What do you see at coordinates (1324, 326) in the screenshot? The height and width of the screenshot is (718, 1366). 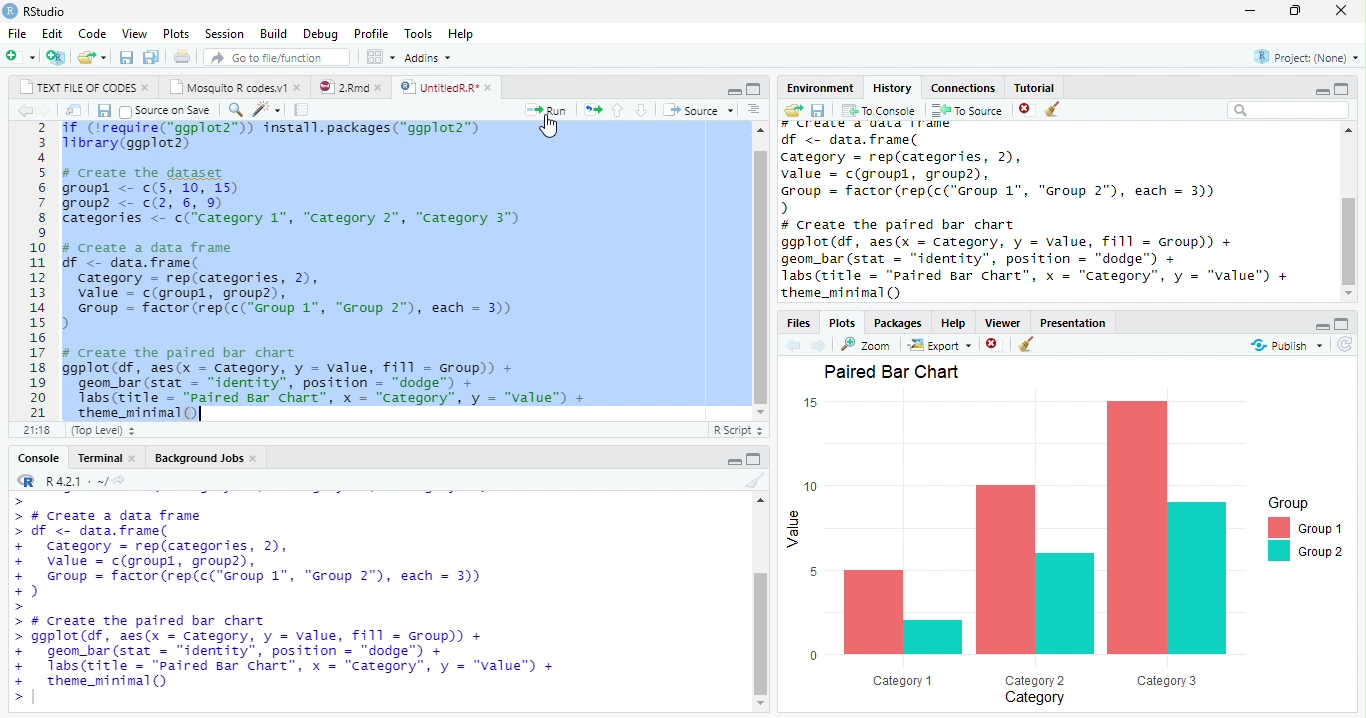 I see `minimize` at bounding box center [1324, 326].